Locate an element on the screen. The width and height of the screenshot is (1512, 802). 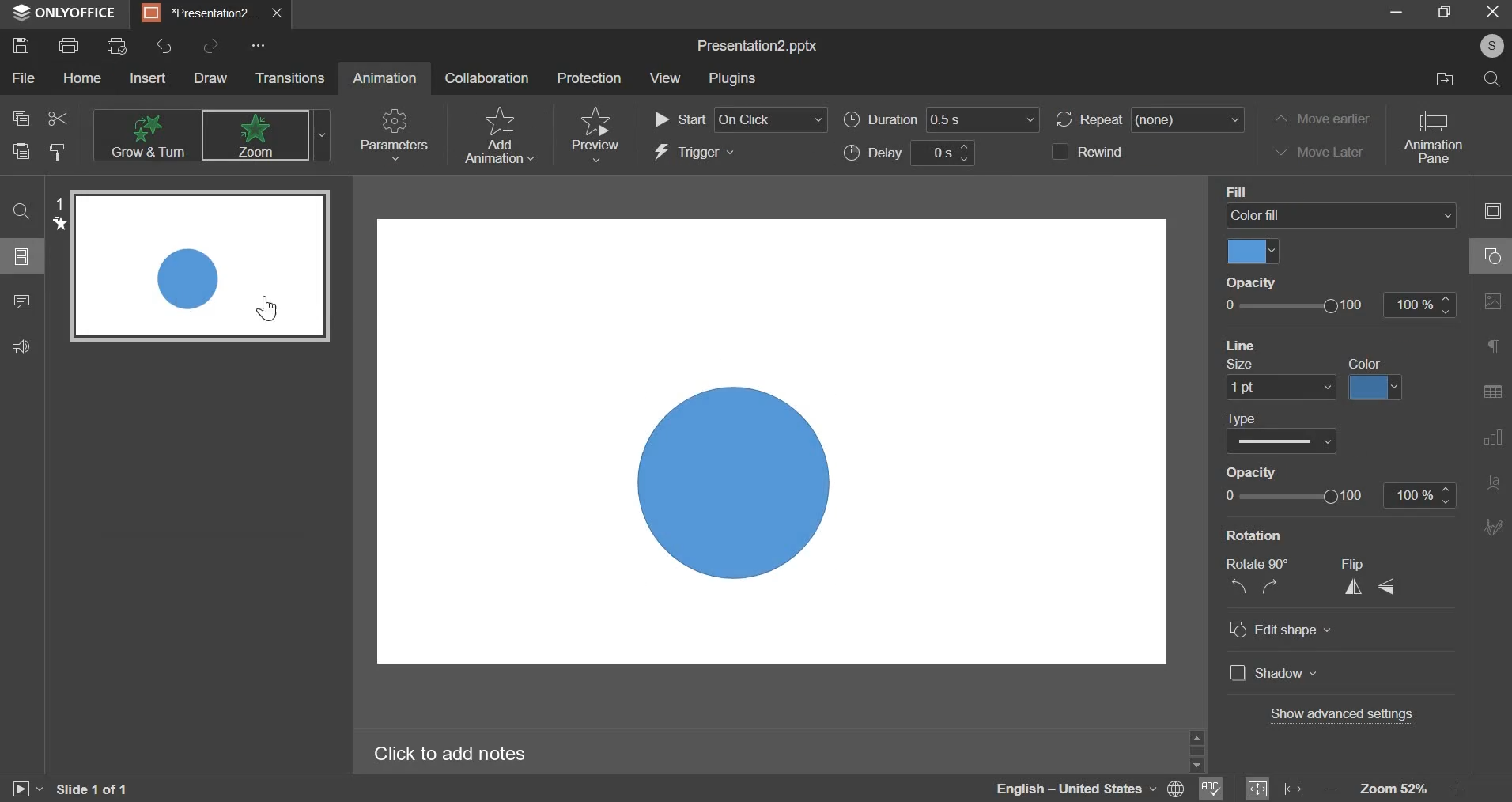
slide 1 is located at coordinates (207, 271).